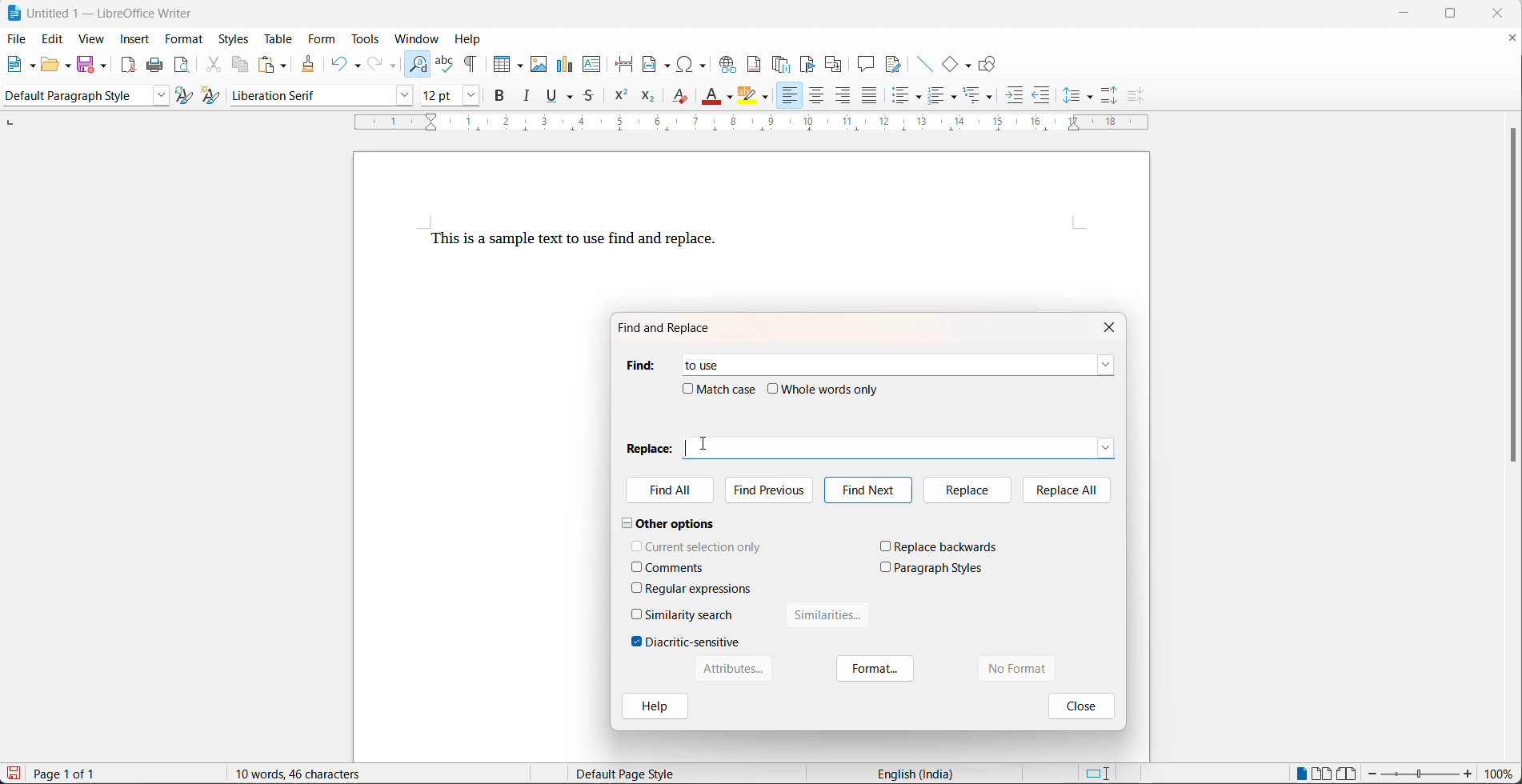 This screenshot has height=784, width=1522. I want to click on scroll bar, so click(1512, 303).